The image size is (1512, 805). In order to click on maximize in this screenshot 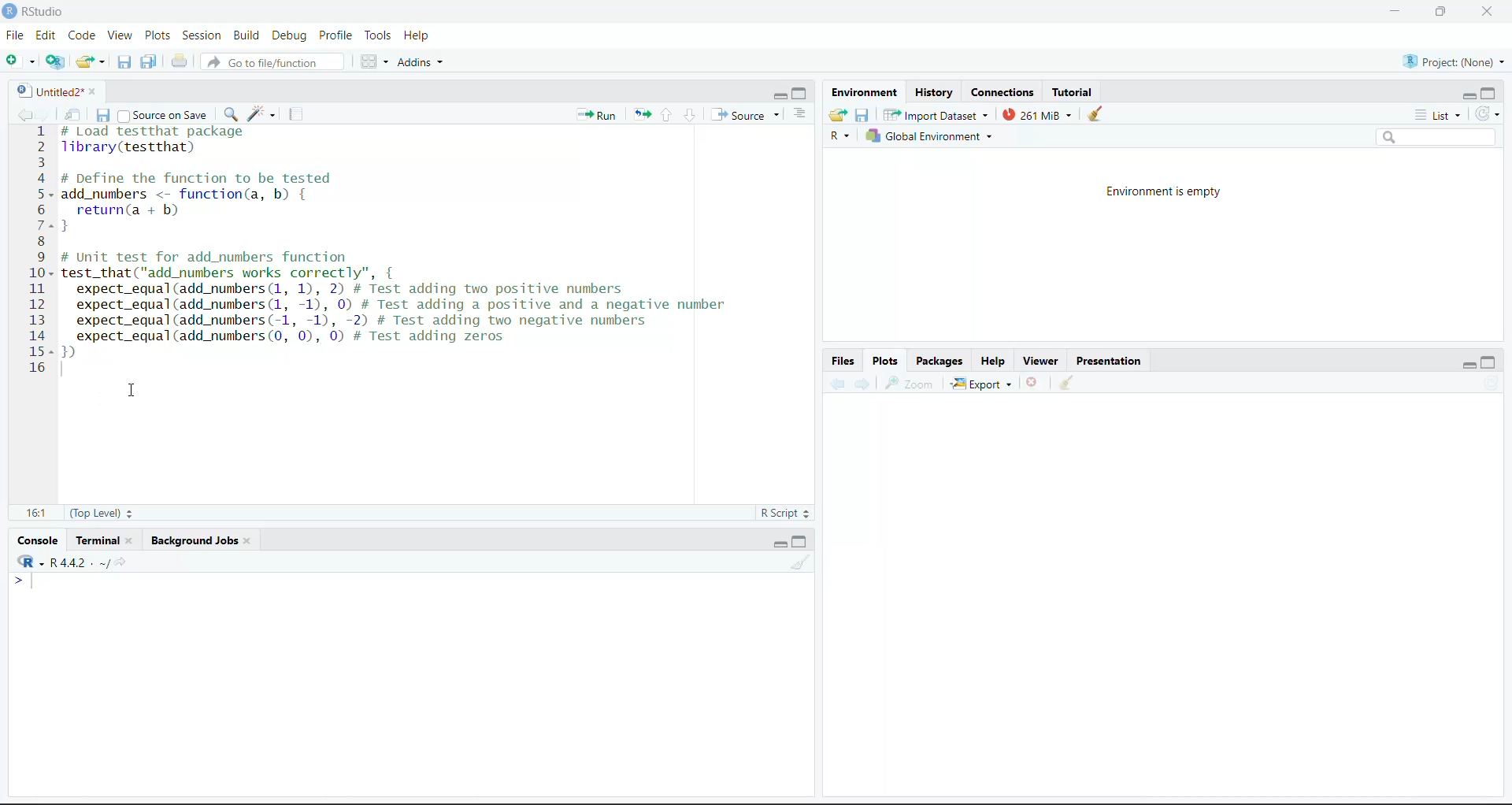, I will do `click(800, 93)`.